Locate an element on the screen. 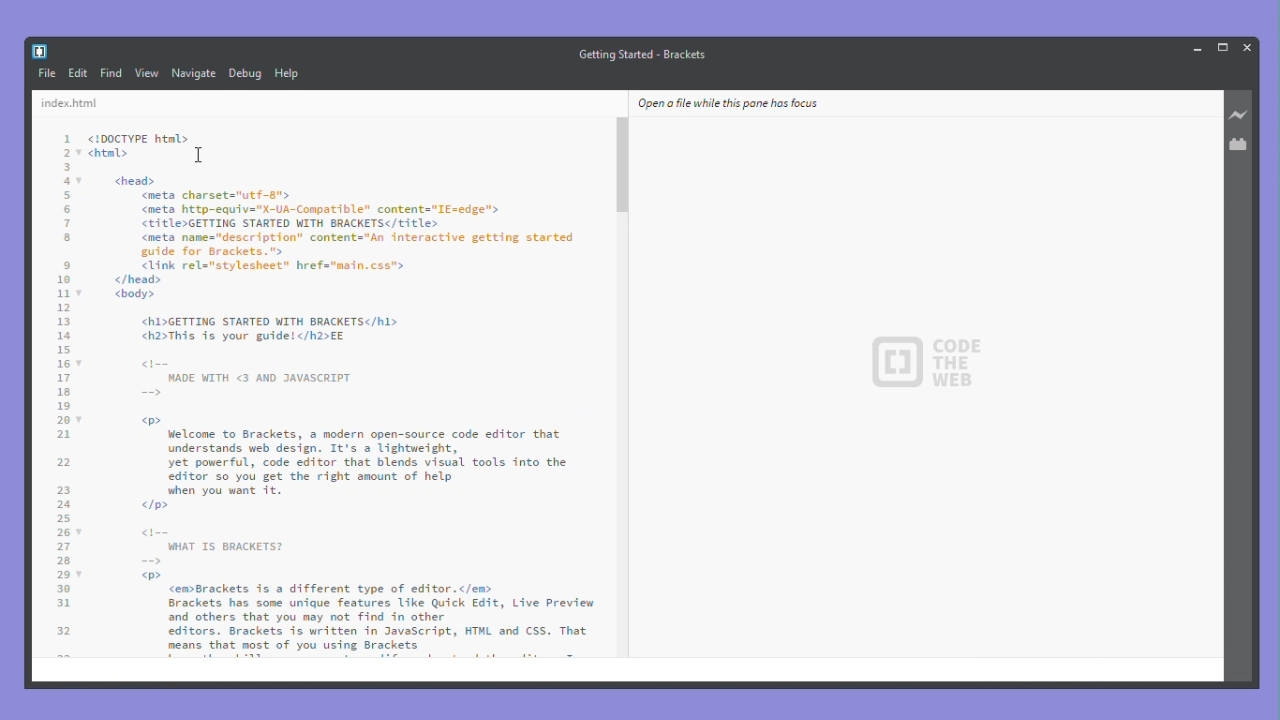 The height and width of the screenshot is (720, 1280). <head><meta charset="utf-8"><meta http-equiv="X-UA-Compatible" content="IE=edge"><title>GETTING STARTED WITH BRACKETS</title><meta name="description” content="An interactive getting started guide for Brackets."><link rel="stylesheet" href="nain.css"></head><body> is located at coordinates (339, 236).